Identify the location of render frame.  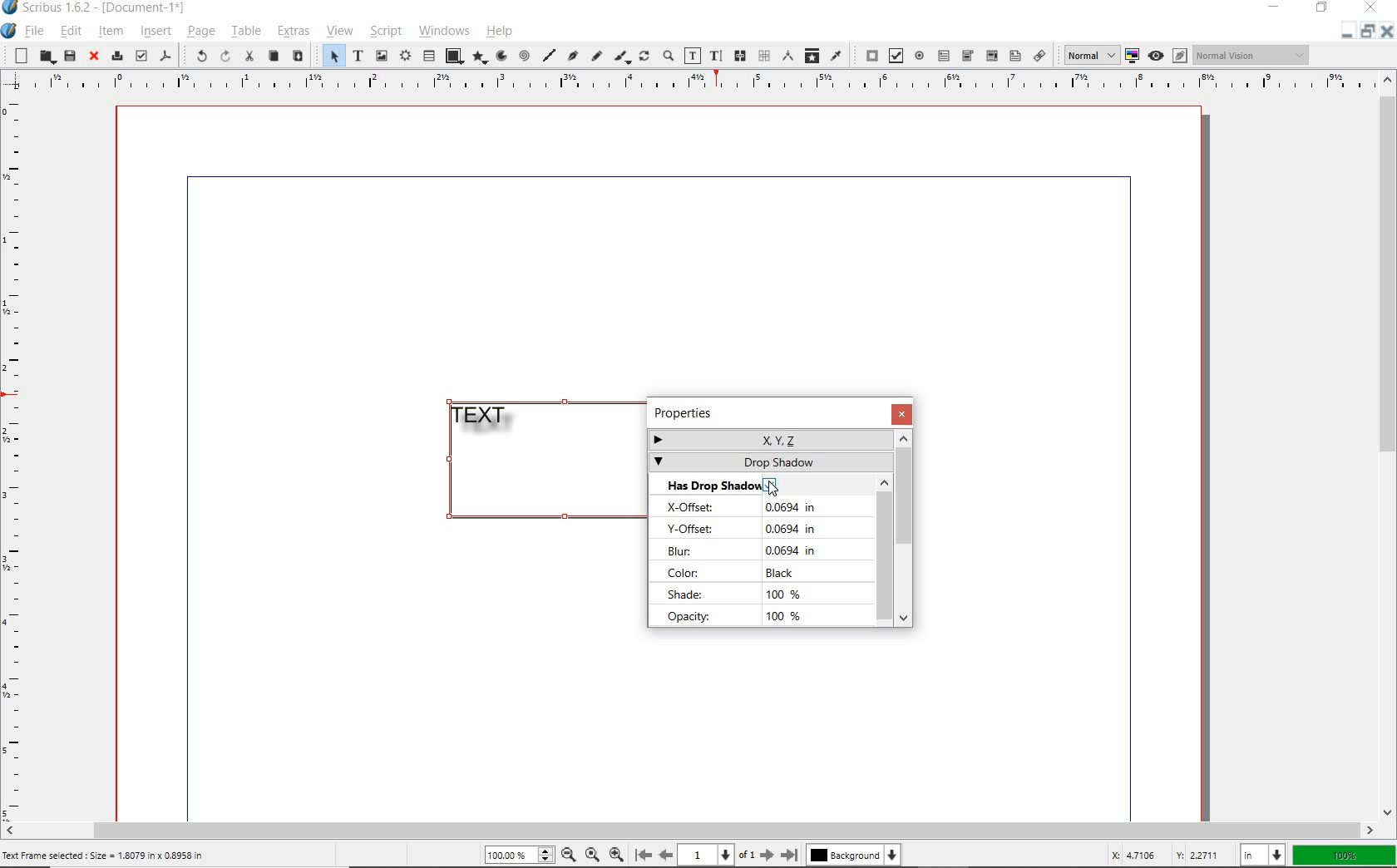
(404, 57).